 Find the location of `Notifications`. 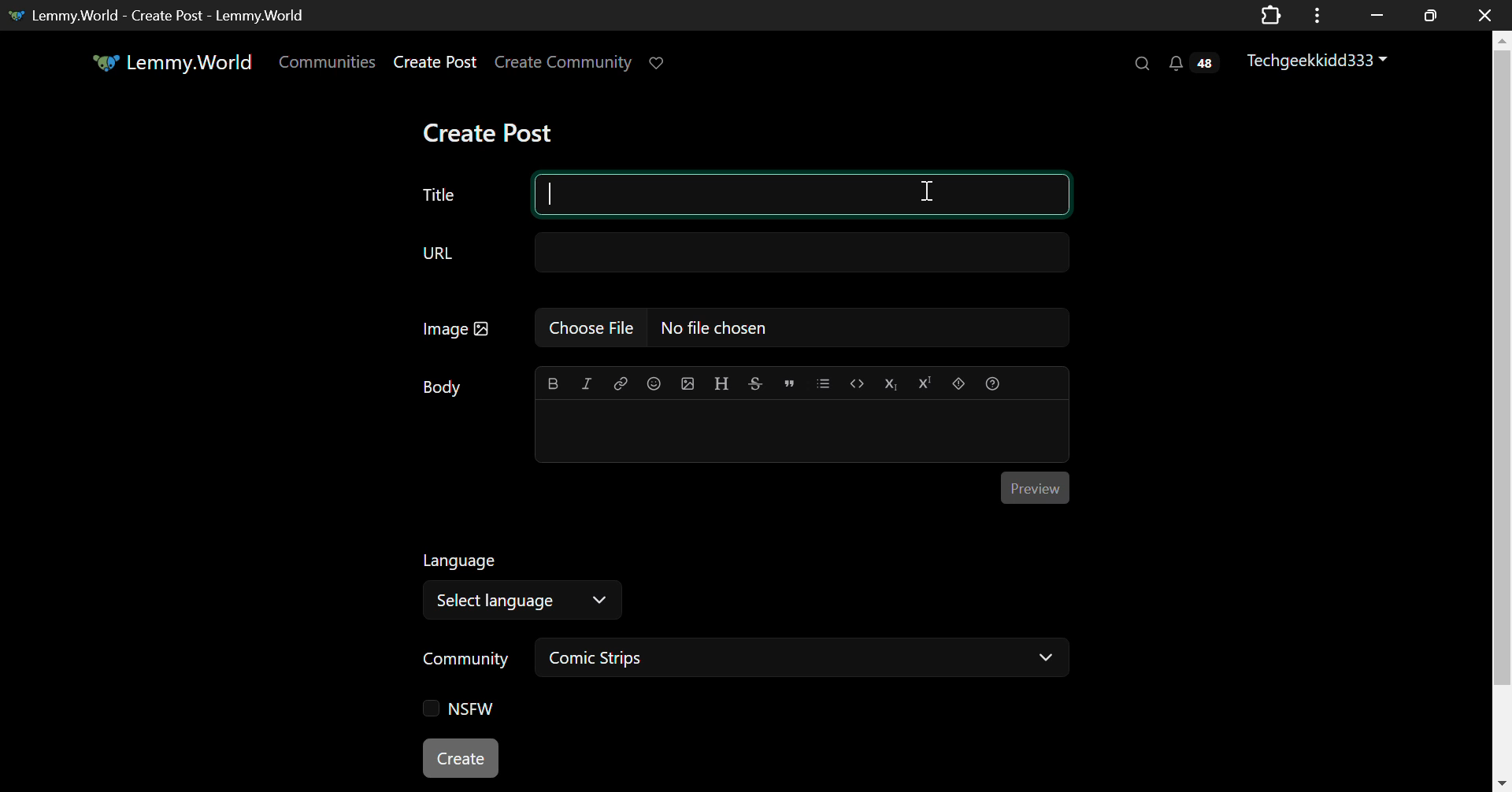

Notifications is located at coordinates (1191, 65).